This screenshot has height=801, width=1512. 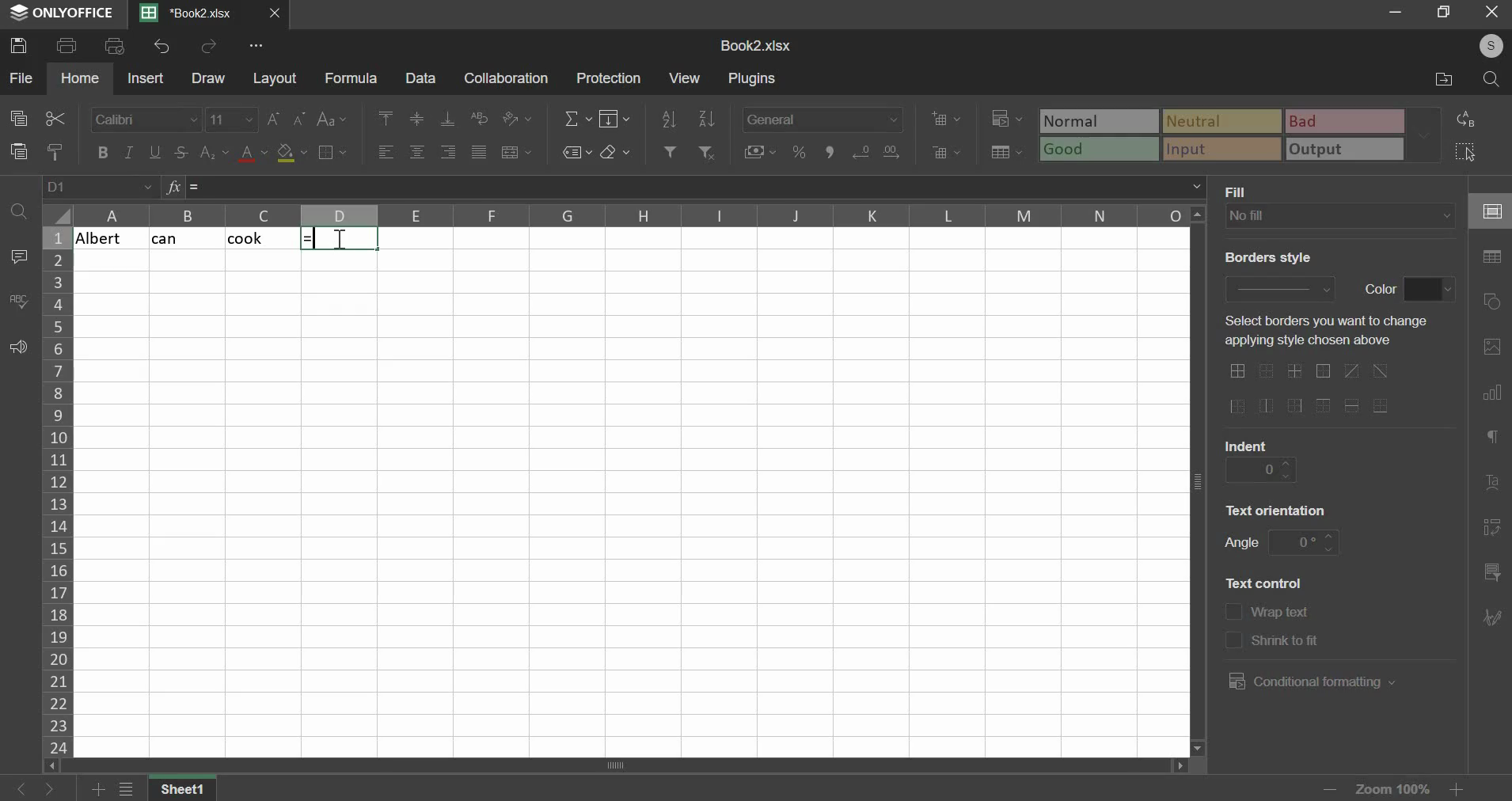 What do you see at coordinates (18, 348) in the screenshot?
I see `feedback` at bounding box center [18, 348].